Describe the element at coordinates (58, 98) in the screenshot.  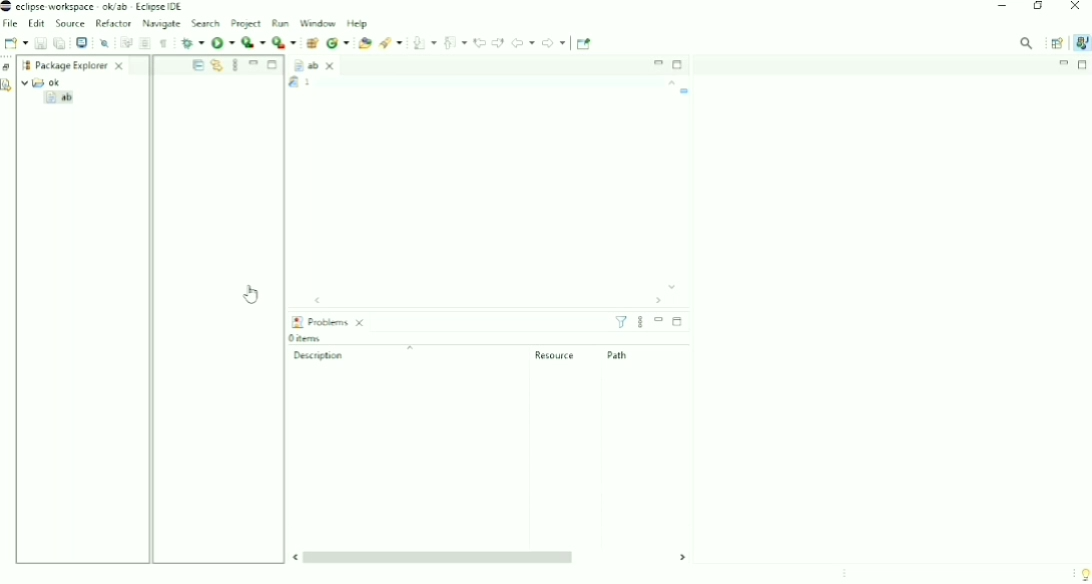
I see `ab` at that location.